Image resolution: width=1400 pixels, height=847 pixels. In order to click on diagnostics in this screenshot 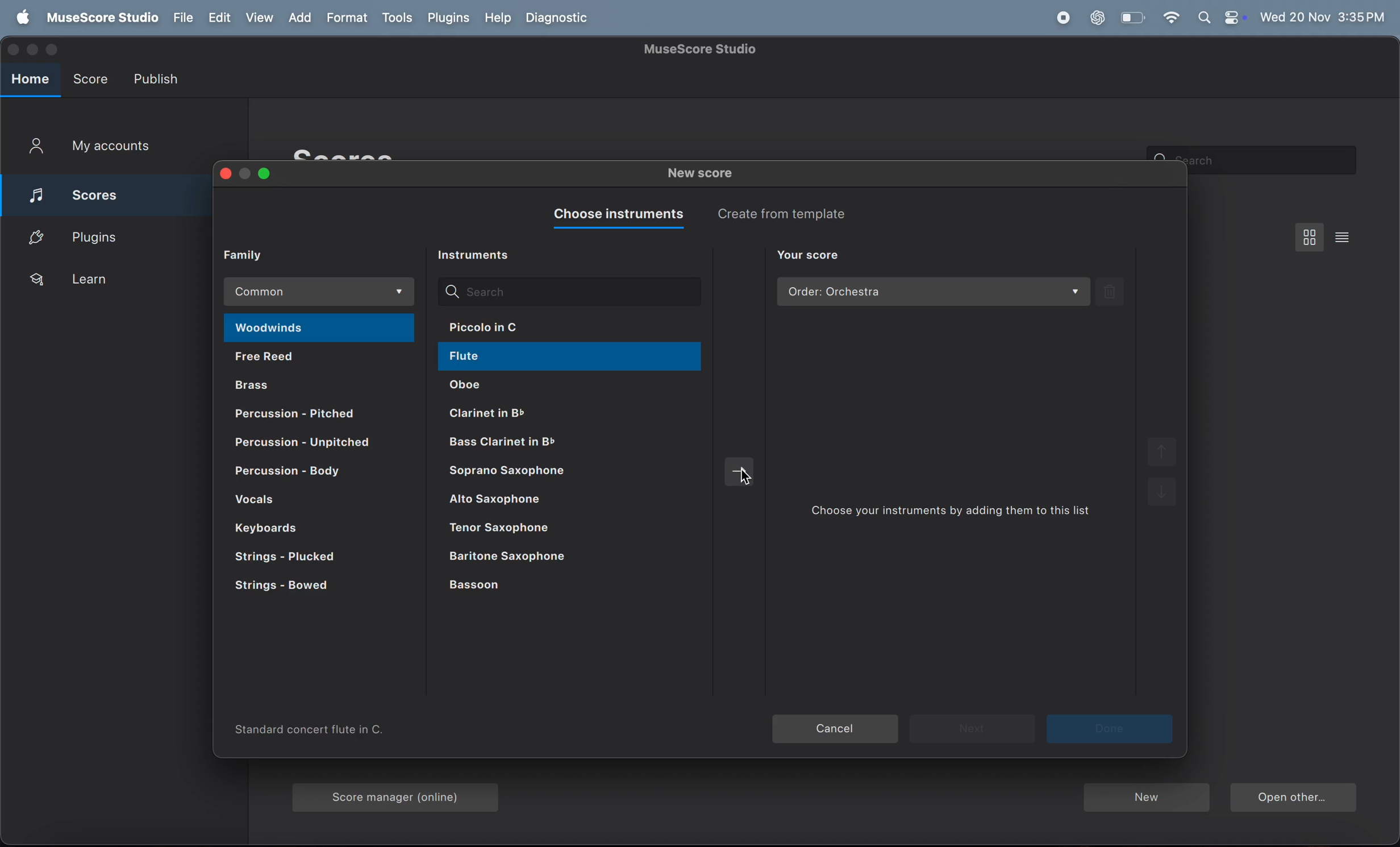, I will do `click(560, 19)`.